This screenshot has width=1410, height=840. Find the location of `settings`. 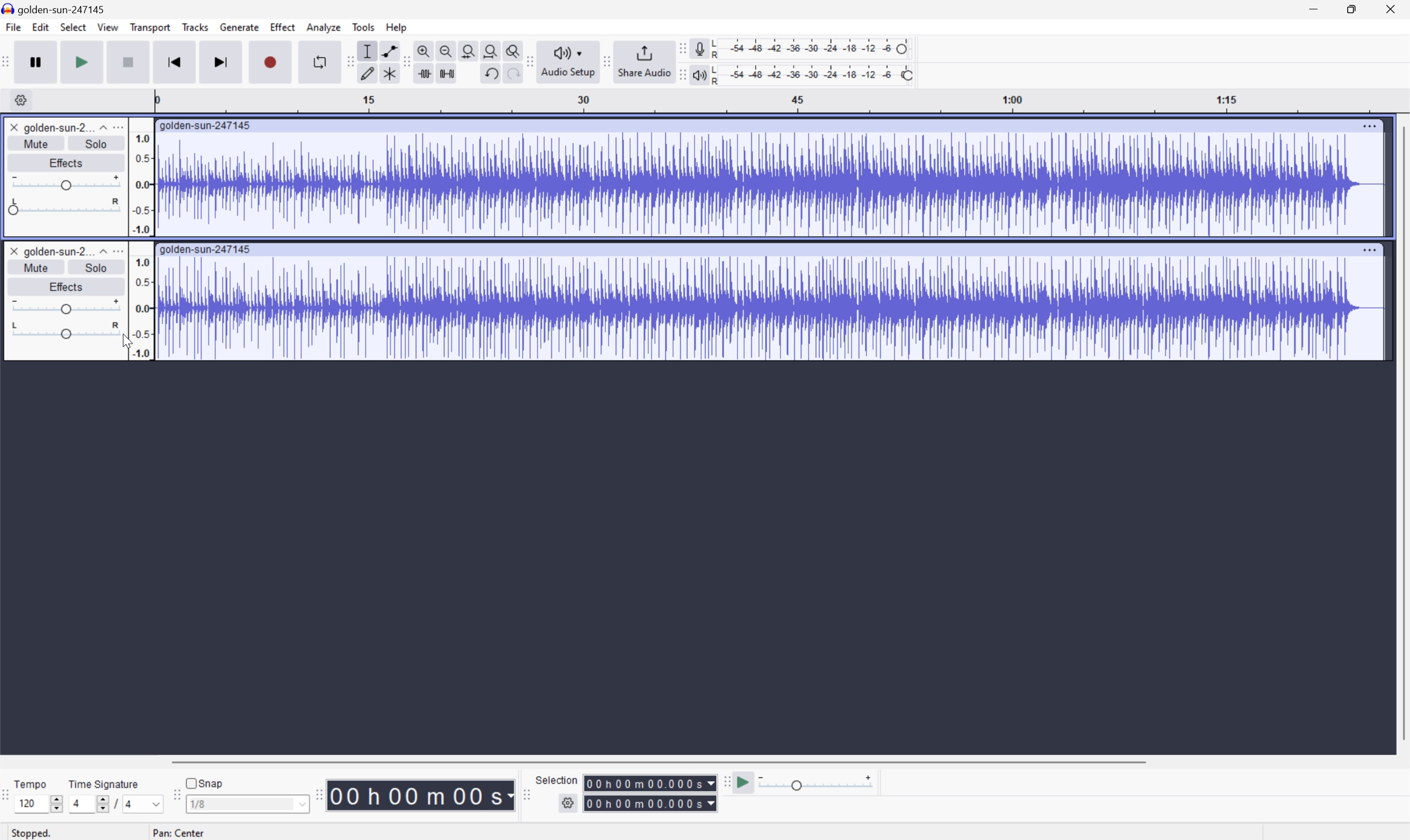

settings is located at coordinates (569, 803).